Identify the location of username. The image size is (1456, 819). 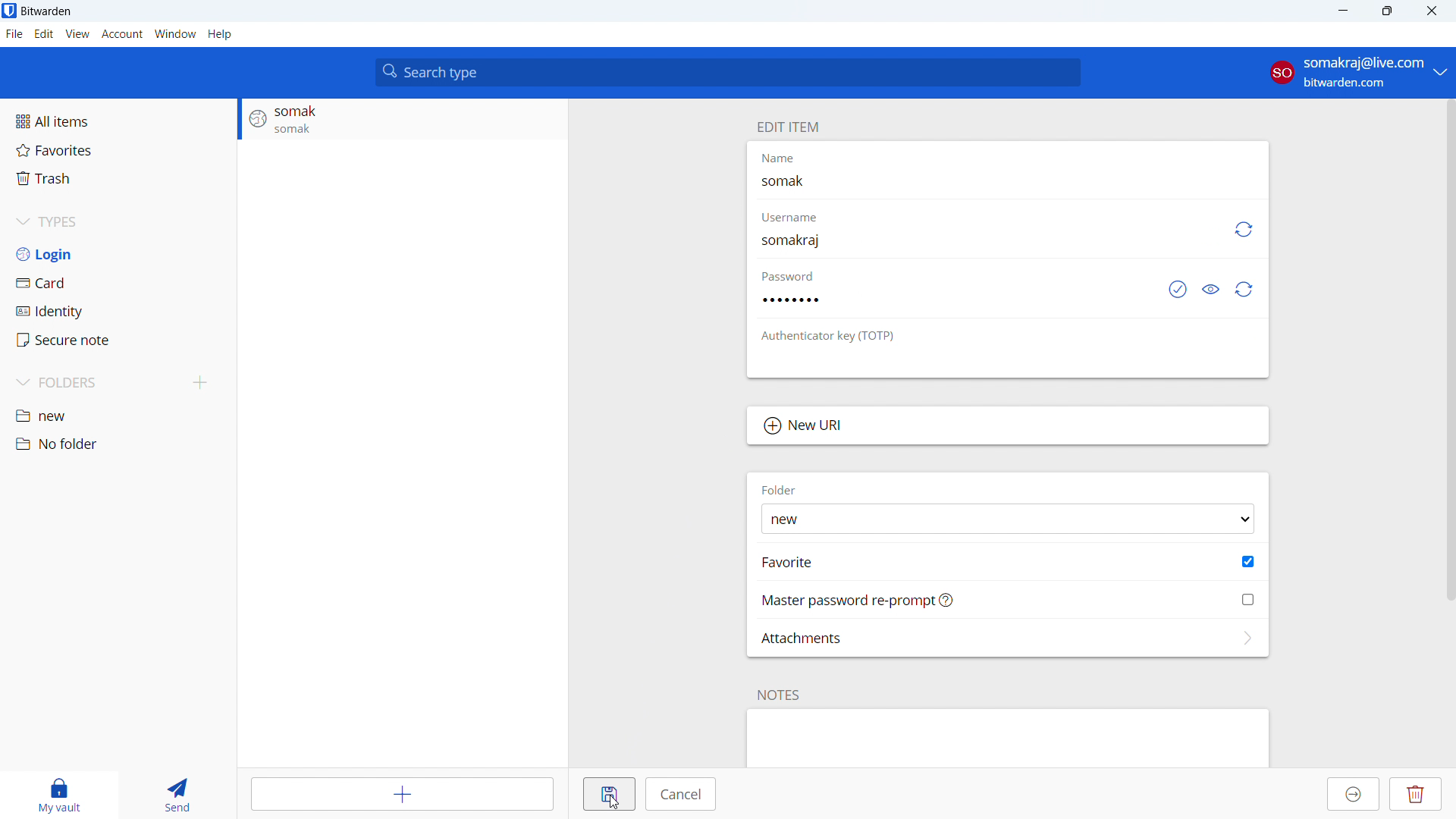
(795, 215).